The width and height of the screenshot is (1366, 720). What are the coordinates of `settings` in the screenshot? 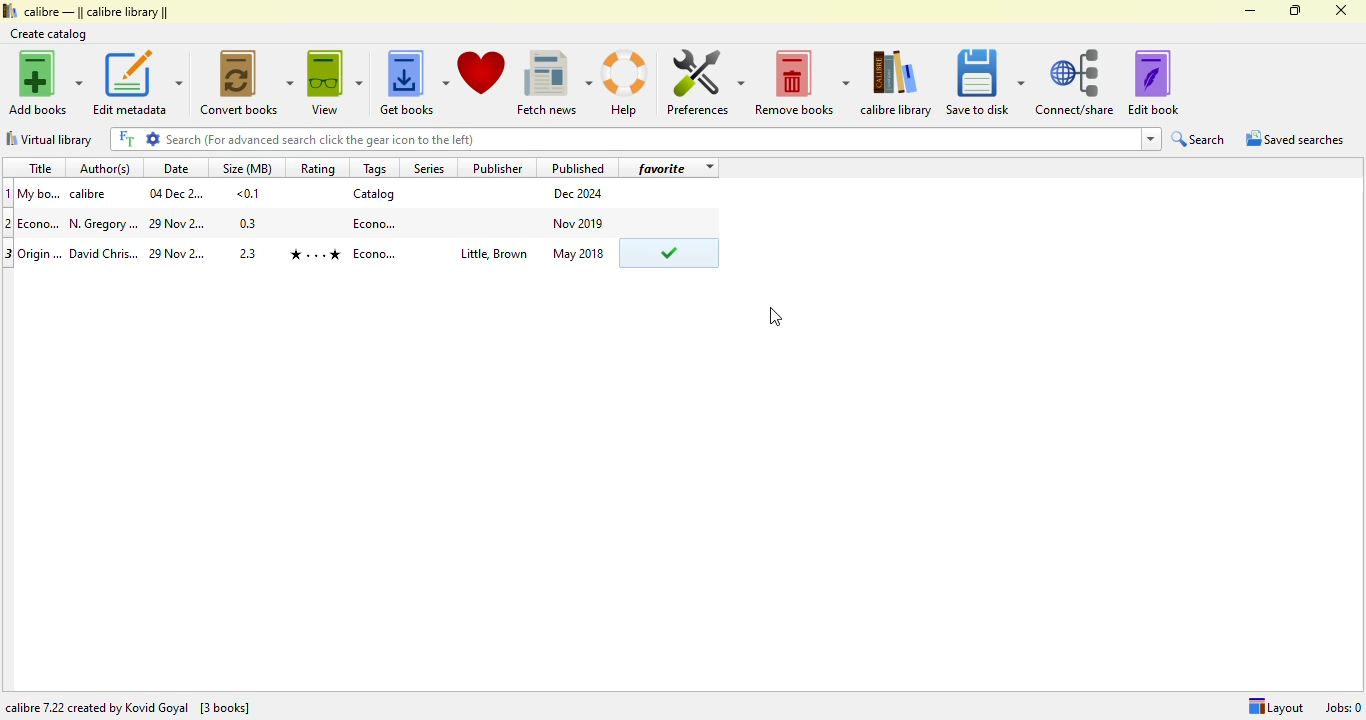 It's located at (153, 138).